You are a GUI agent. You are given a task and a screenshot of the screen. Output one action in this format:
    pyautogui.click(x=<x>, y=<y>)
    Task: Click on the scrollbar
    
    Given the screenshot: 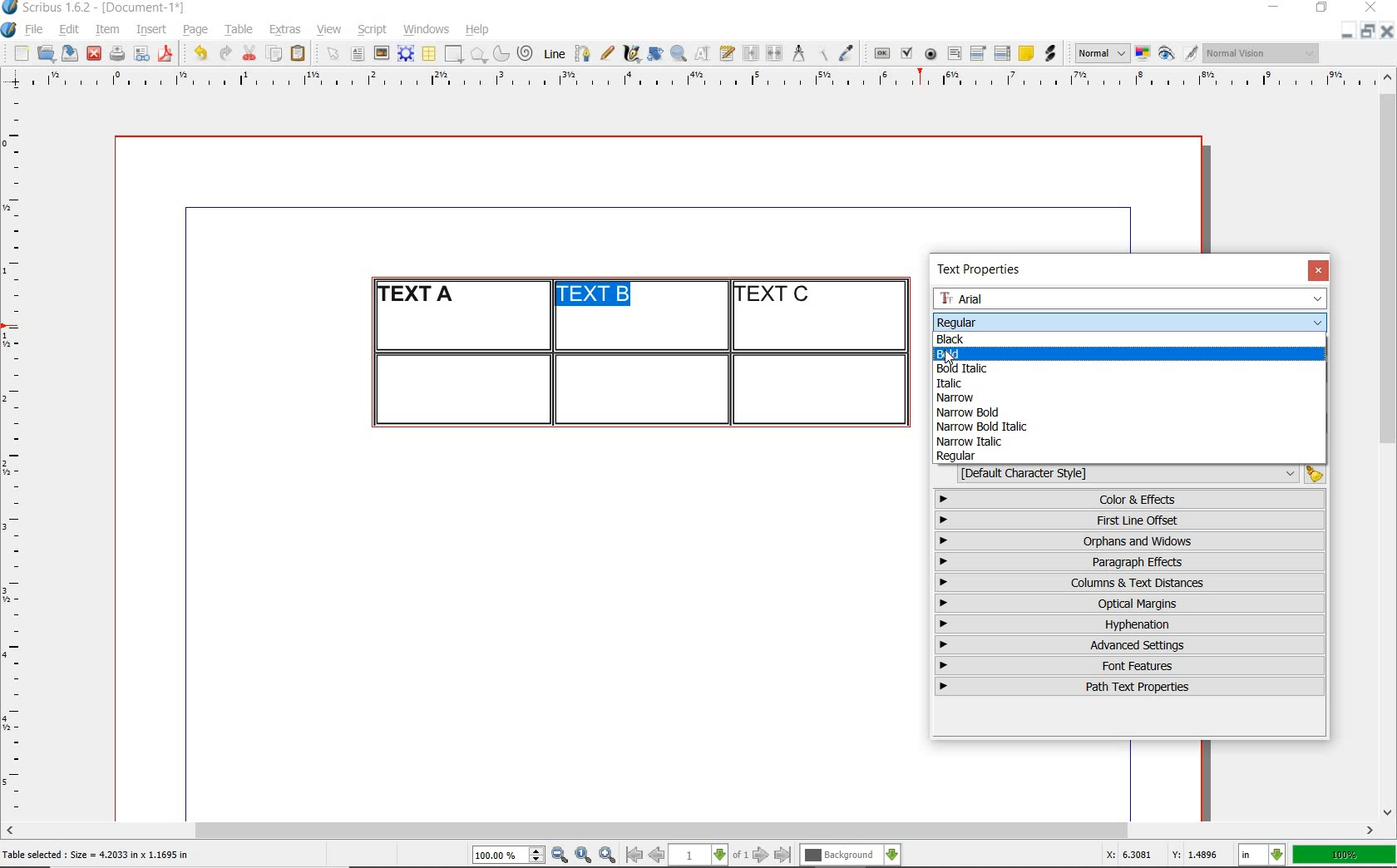 What is the action you would take?
    pyautogui.click(x=1389, y=443)
    